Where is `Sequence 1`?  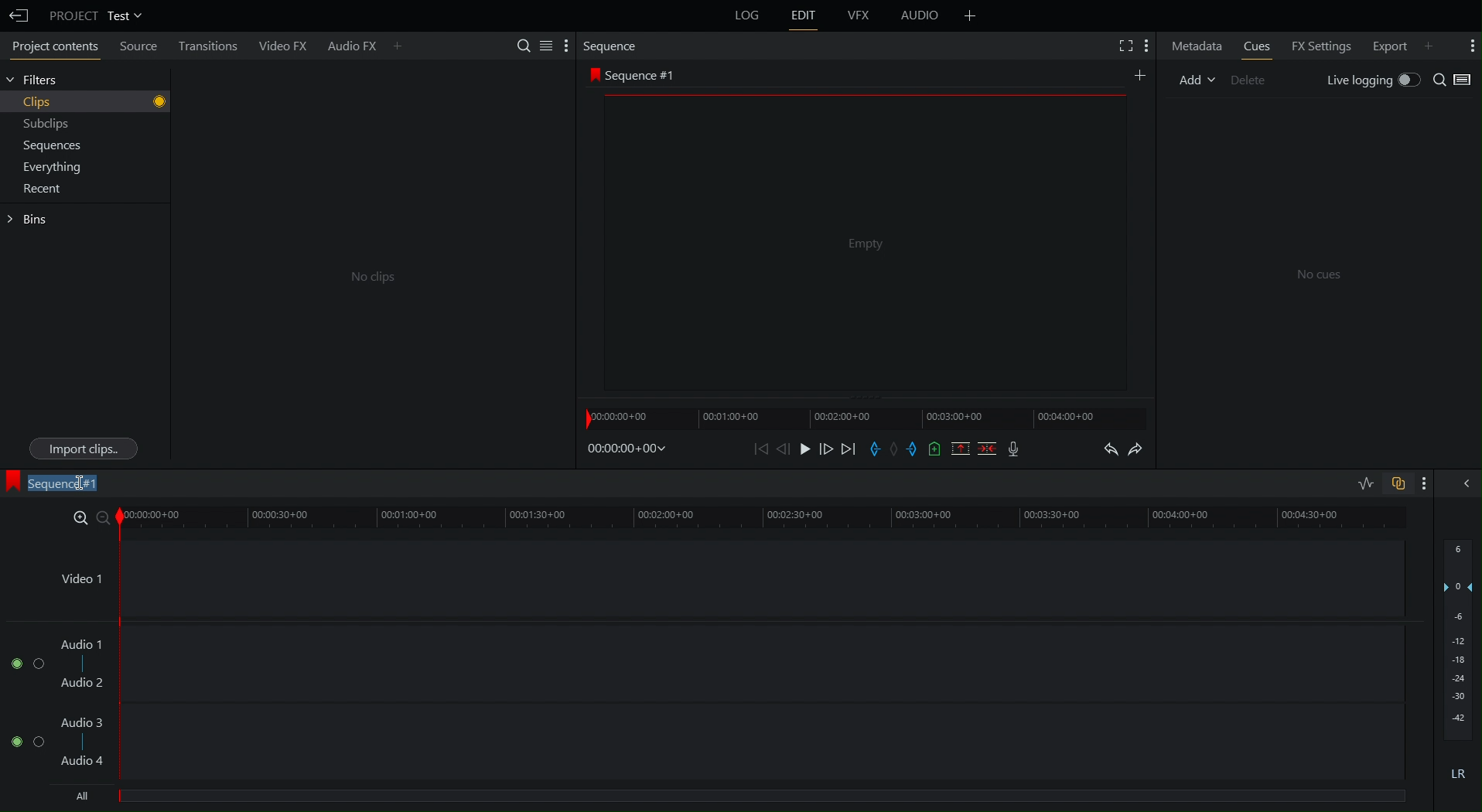
Sequence 1 is located at coordinates (55, 483).